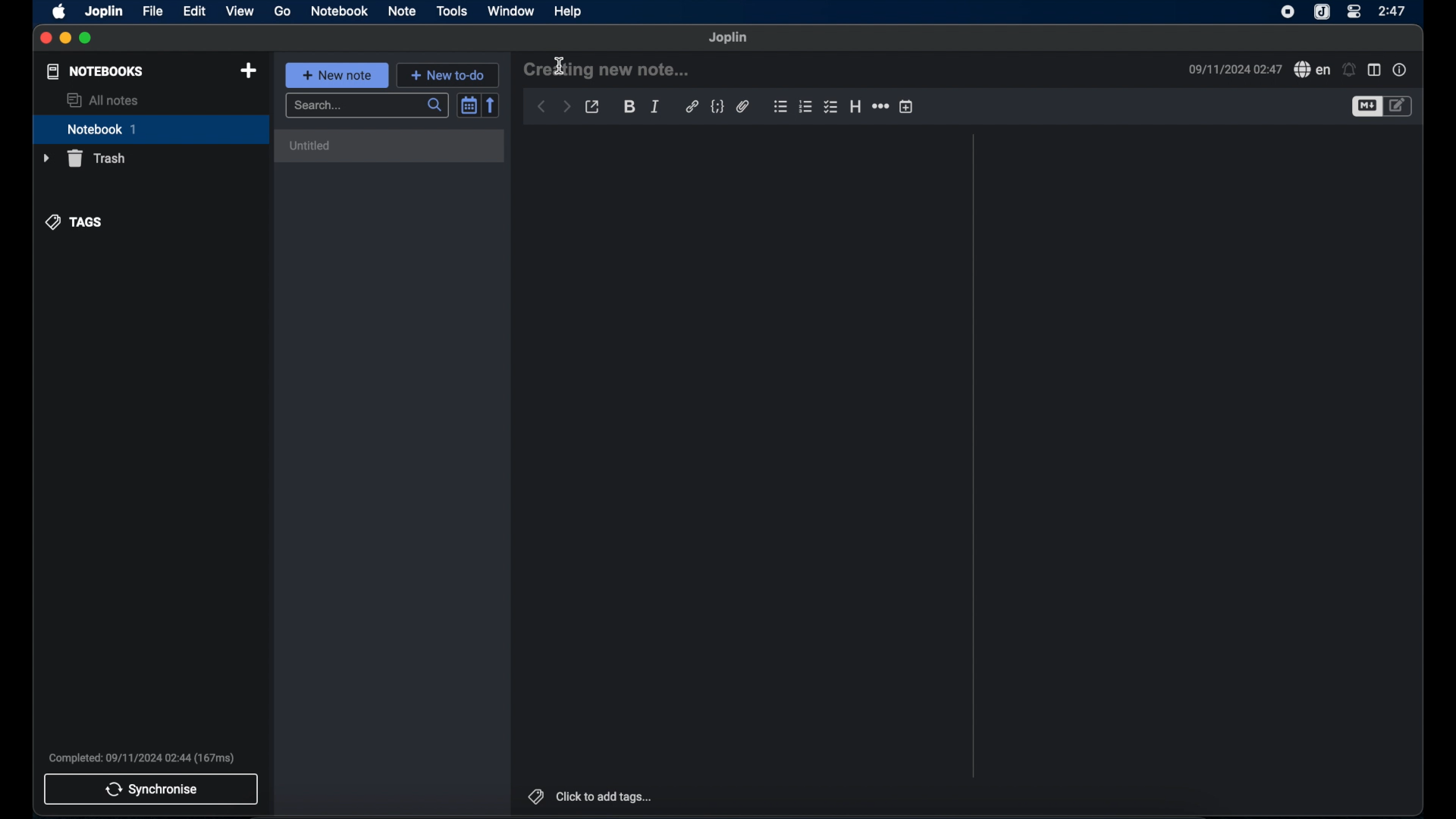 This screenshot has height=819, width=1456. Describe the element at coordinates (692, 106) in the screenshot. I see `hyperlink` at that location.